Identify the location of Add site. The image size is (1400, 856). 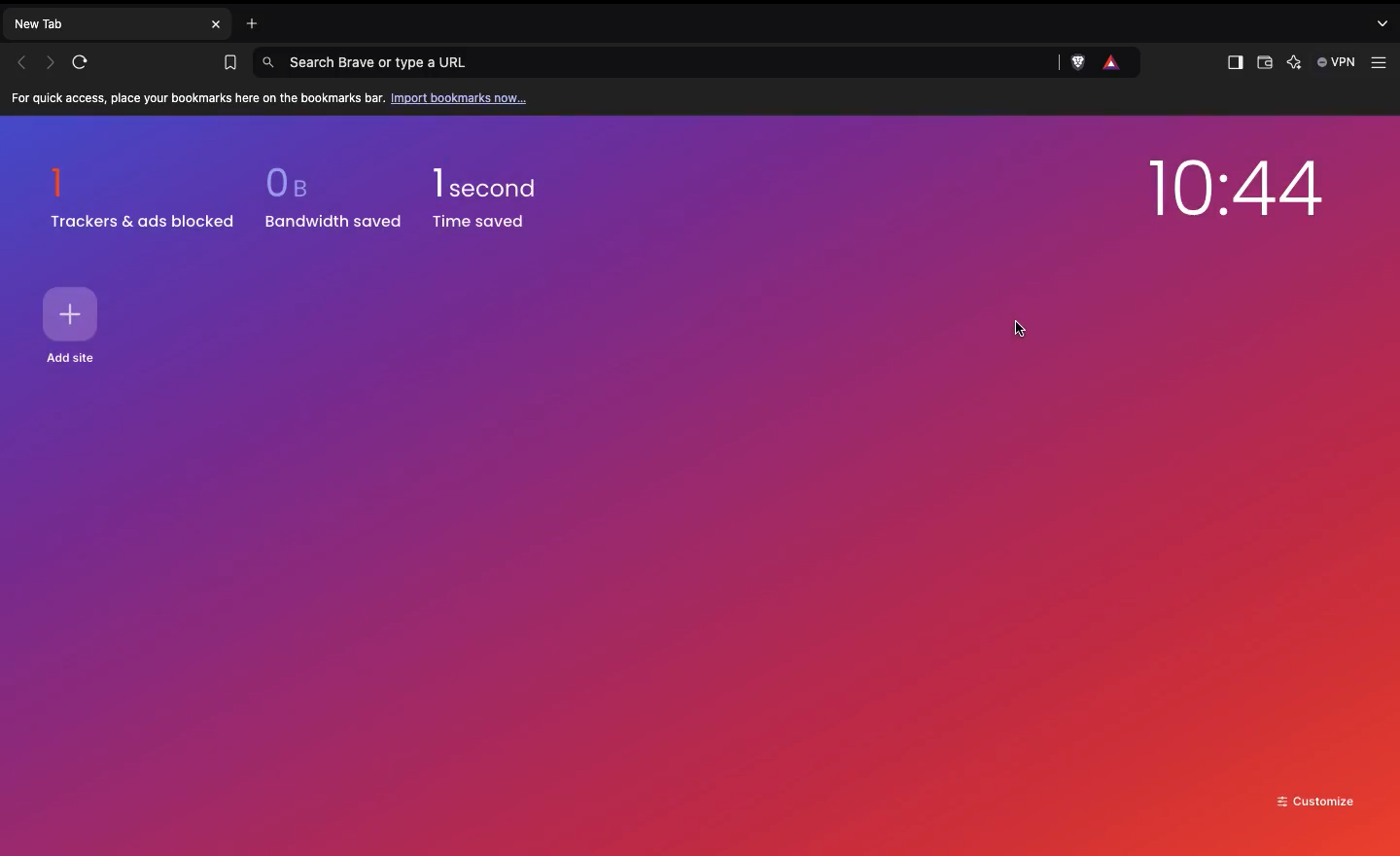
(76, 359).